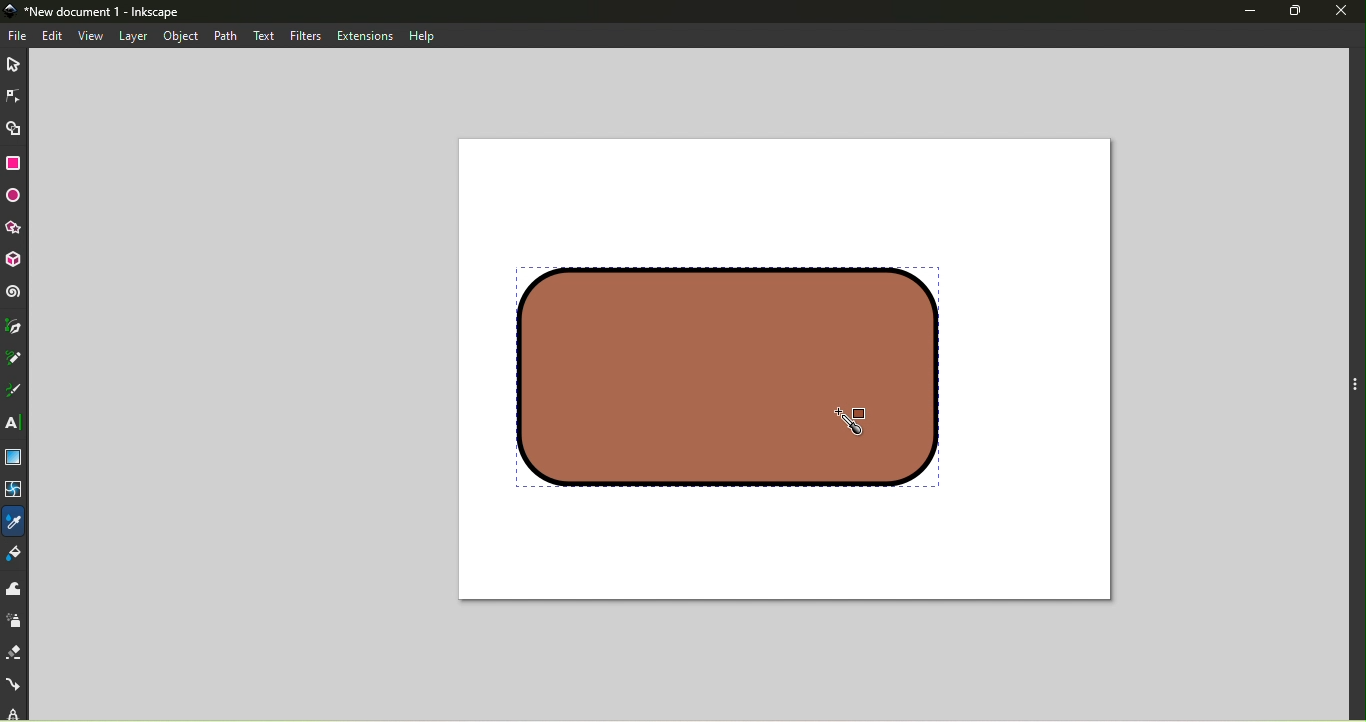 This screenshot has height=722, width=1366. Describe the element at coordinates (15, 649) in the screenshot. I see `Eraser` at that location.